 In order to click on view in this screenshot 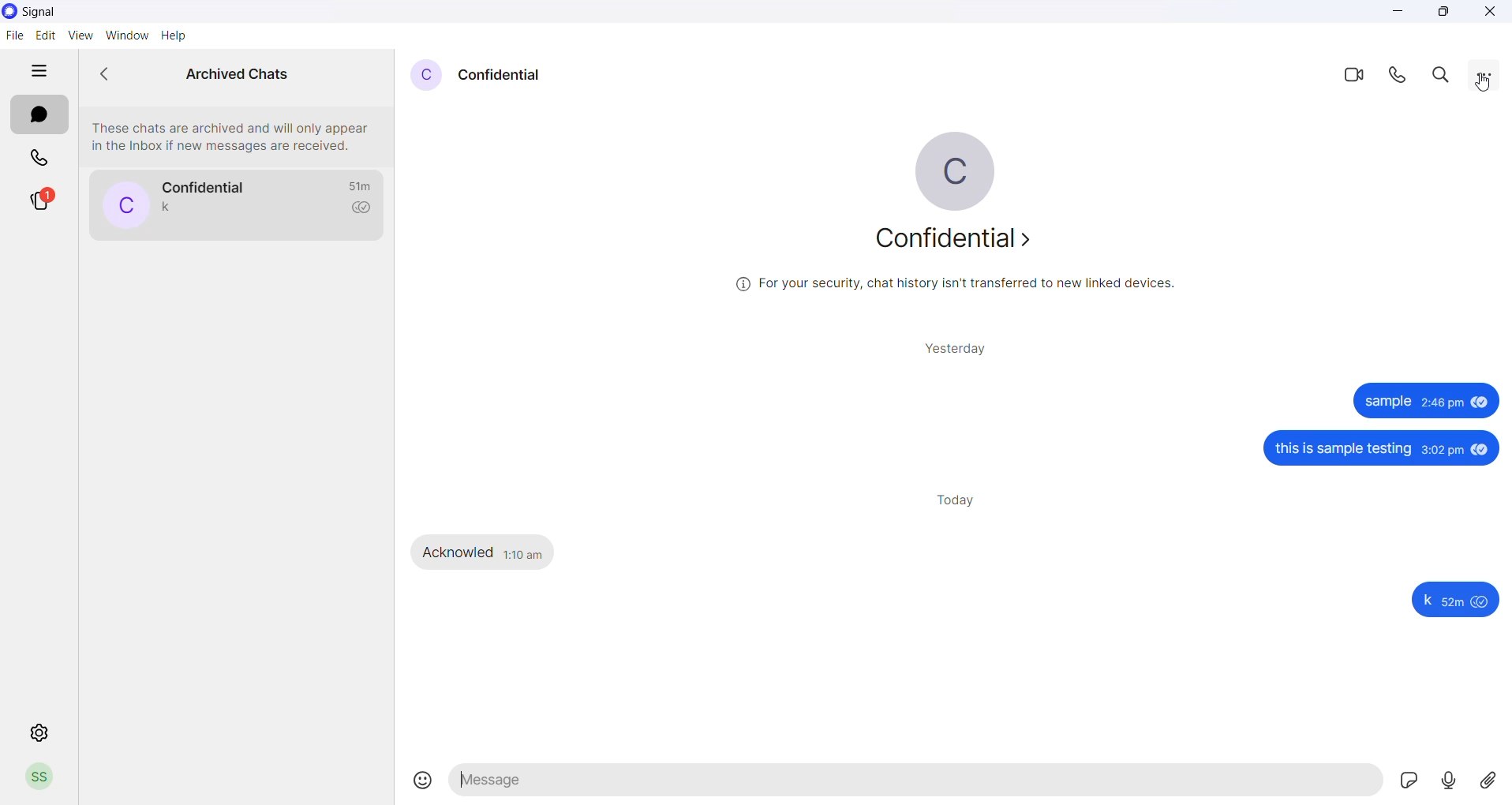, I will do `click(78, 36)`.